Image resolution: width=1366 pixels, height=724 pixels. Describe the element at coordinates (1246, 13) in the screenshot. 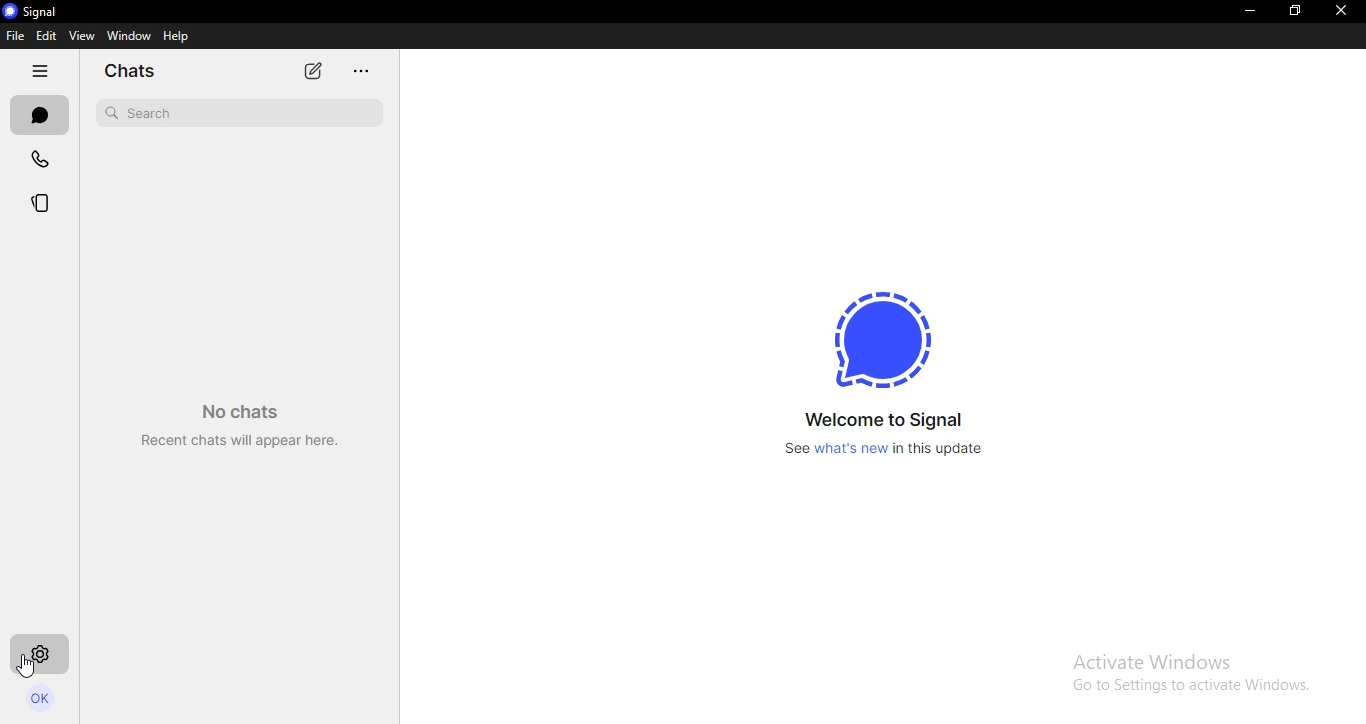

I see `minimize` at that location.